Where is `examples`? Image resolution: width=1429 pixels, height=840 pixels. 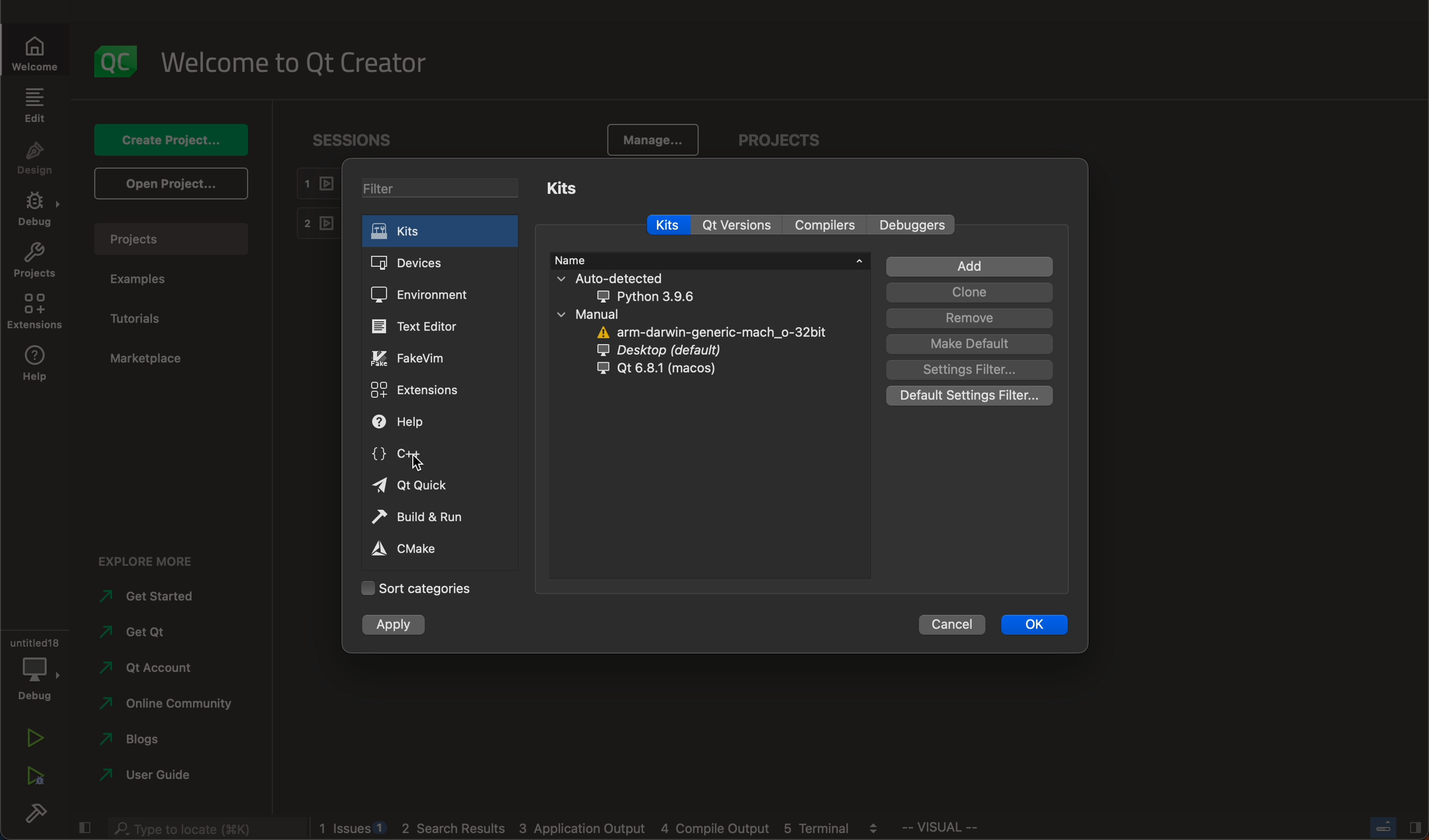
examples is located at coordinates (143, 279).